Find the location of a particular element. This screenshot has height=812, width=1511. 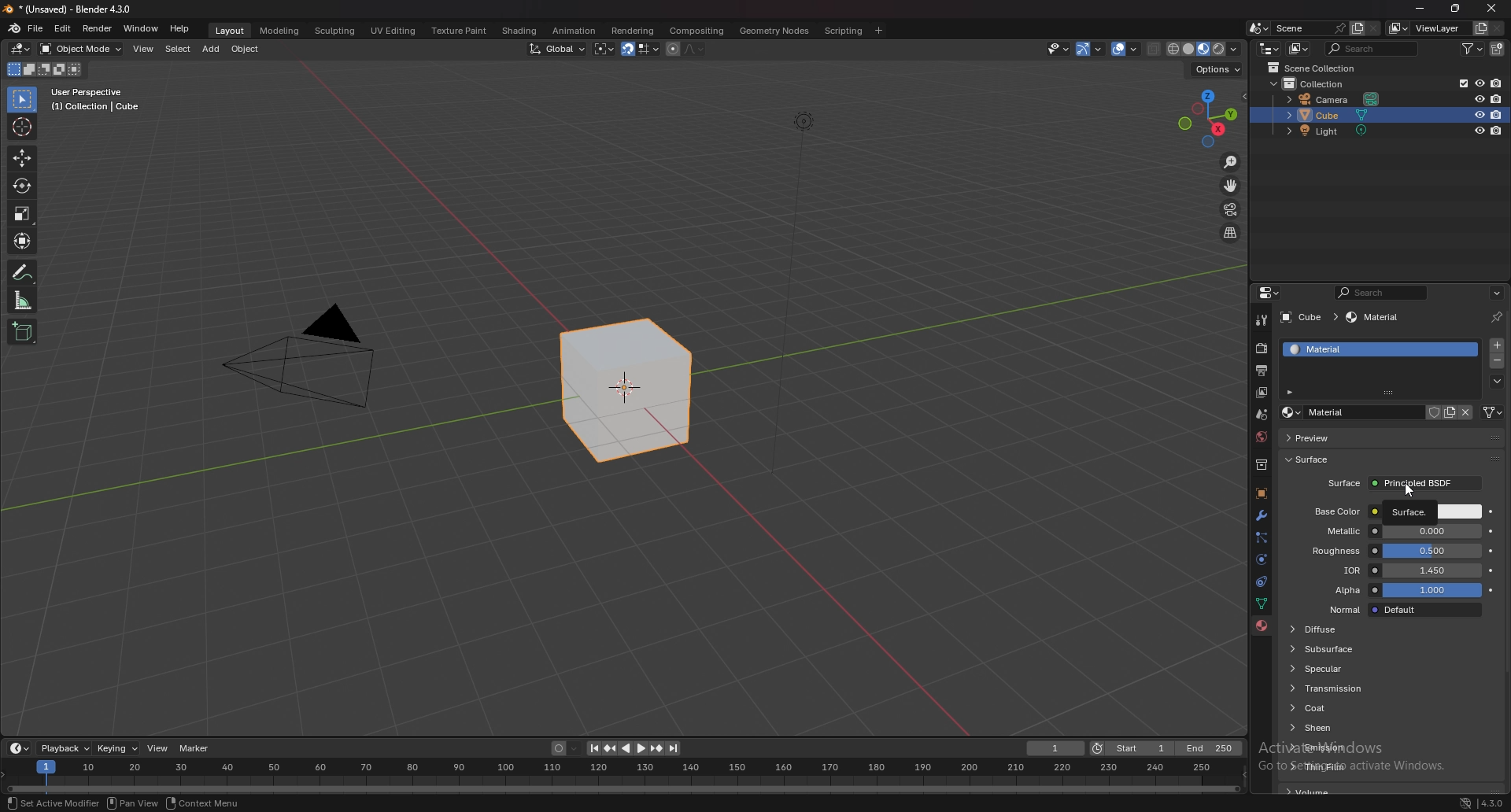

preview is located at coordinates (1338, 437).